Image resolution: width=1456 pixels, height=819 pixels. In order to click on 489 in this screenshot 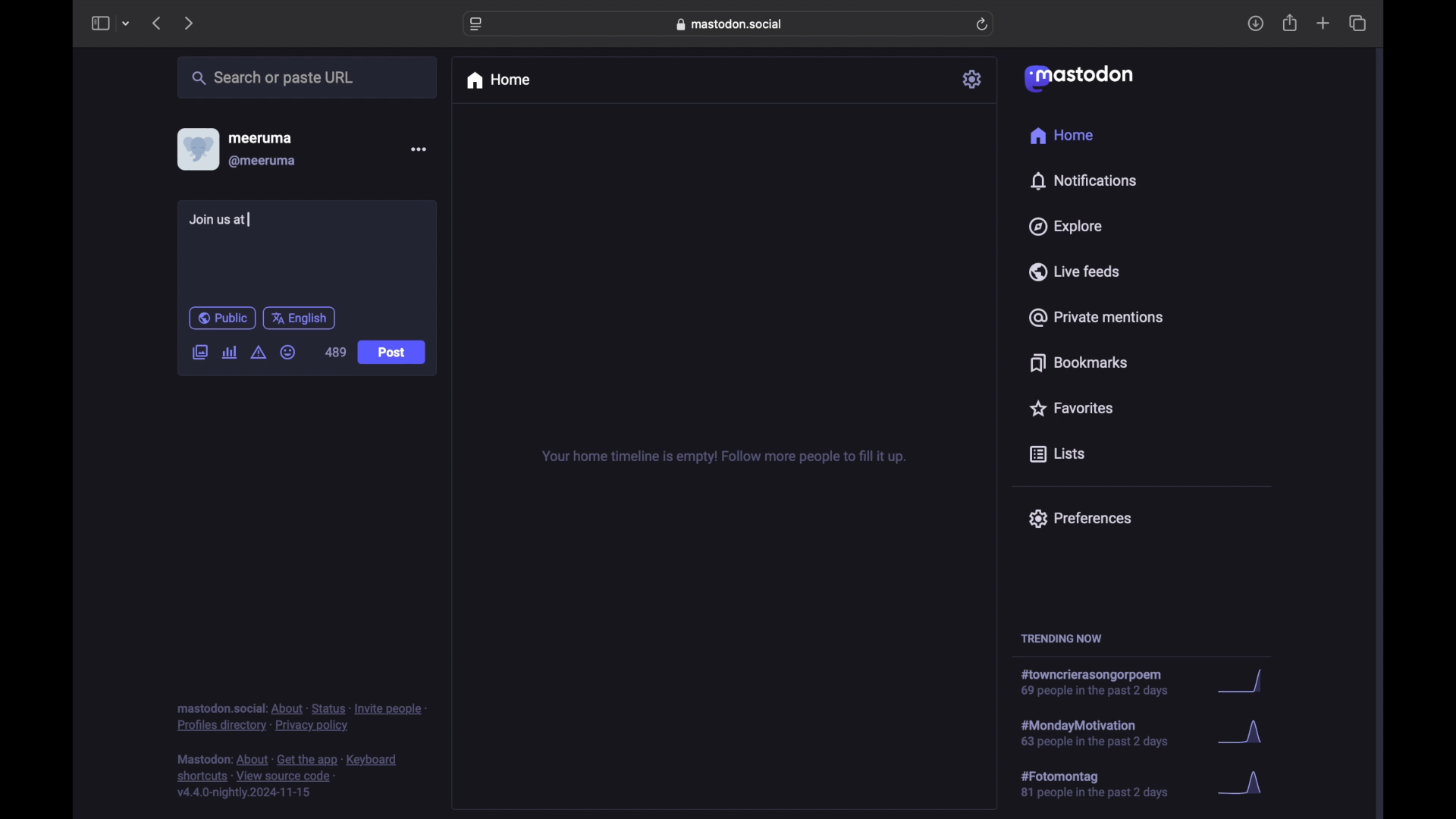, I will do `click(335, 352)`.